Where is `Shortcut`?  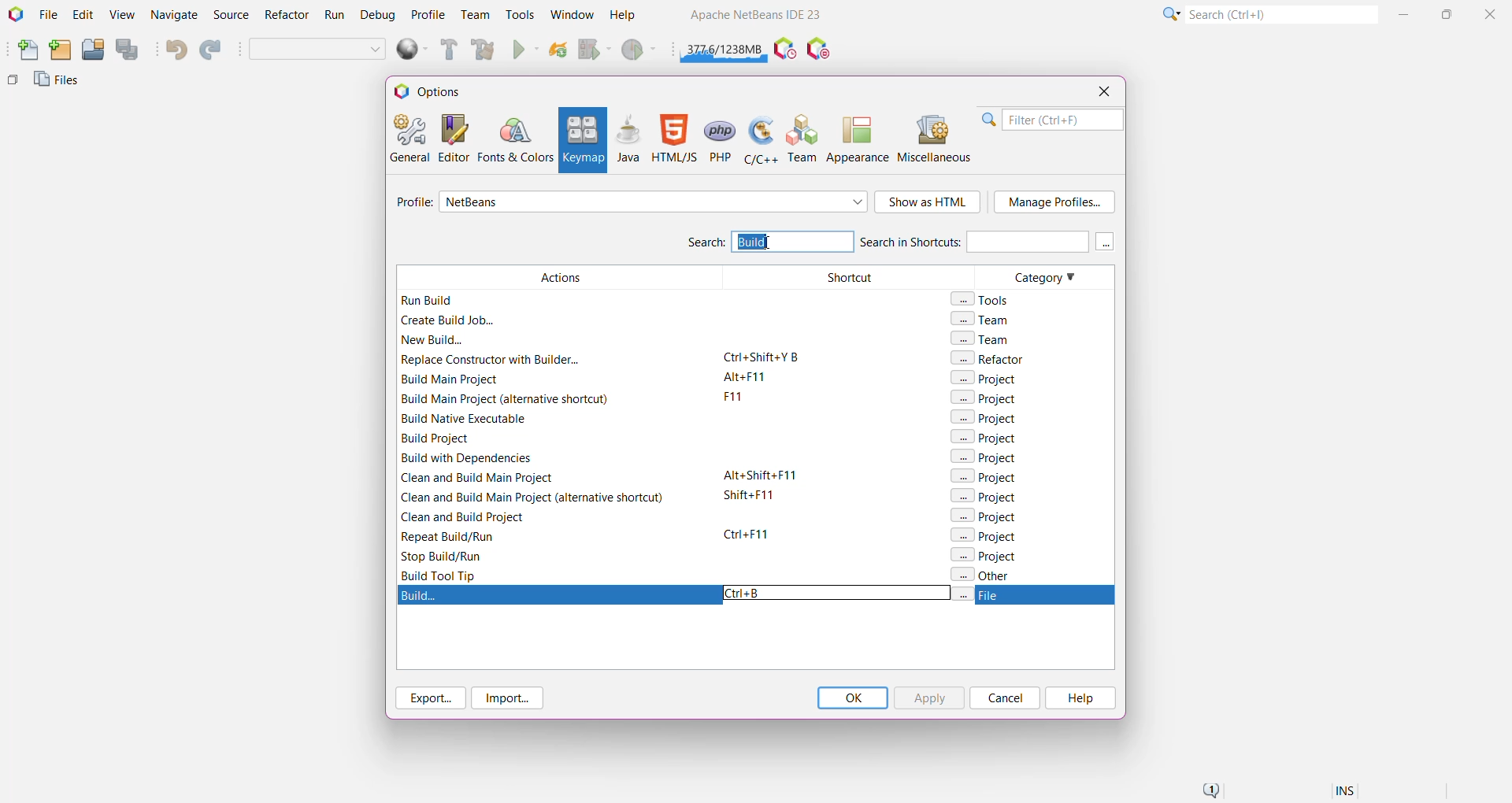 Shortcut is located at coordinates (842, 424).